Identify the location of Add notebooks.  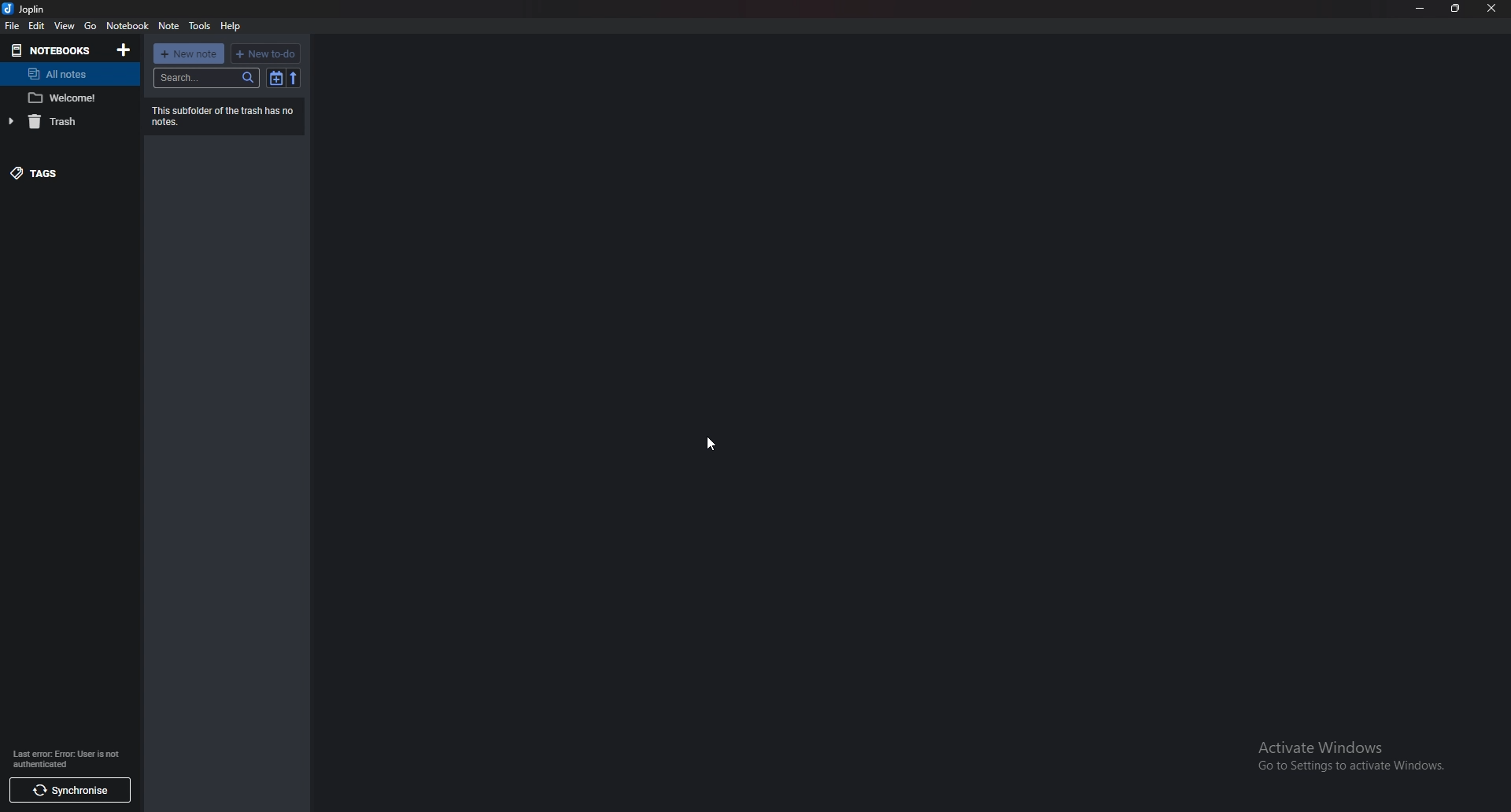
(126, 49).